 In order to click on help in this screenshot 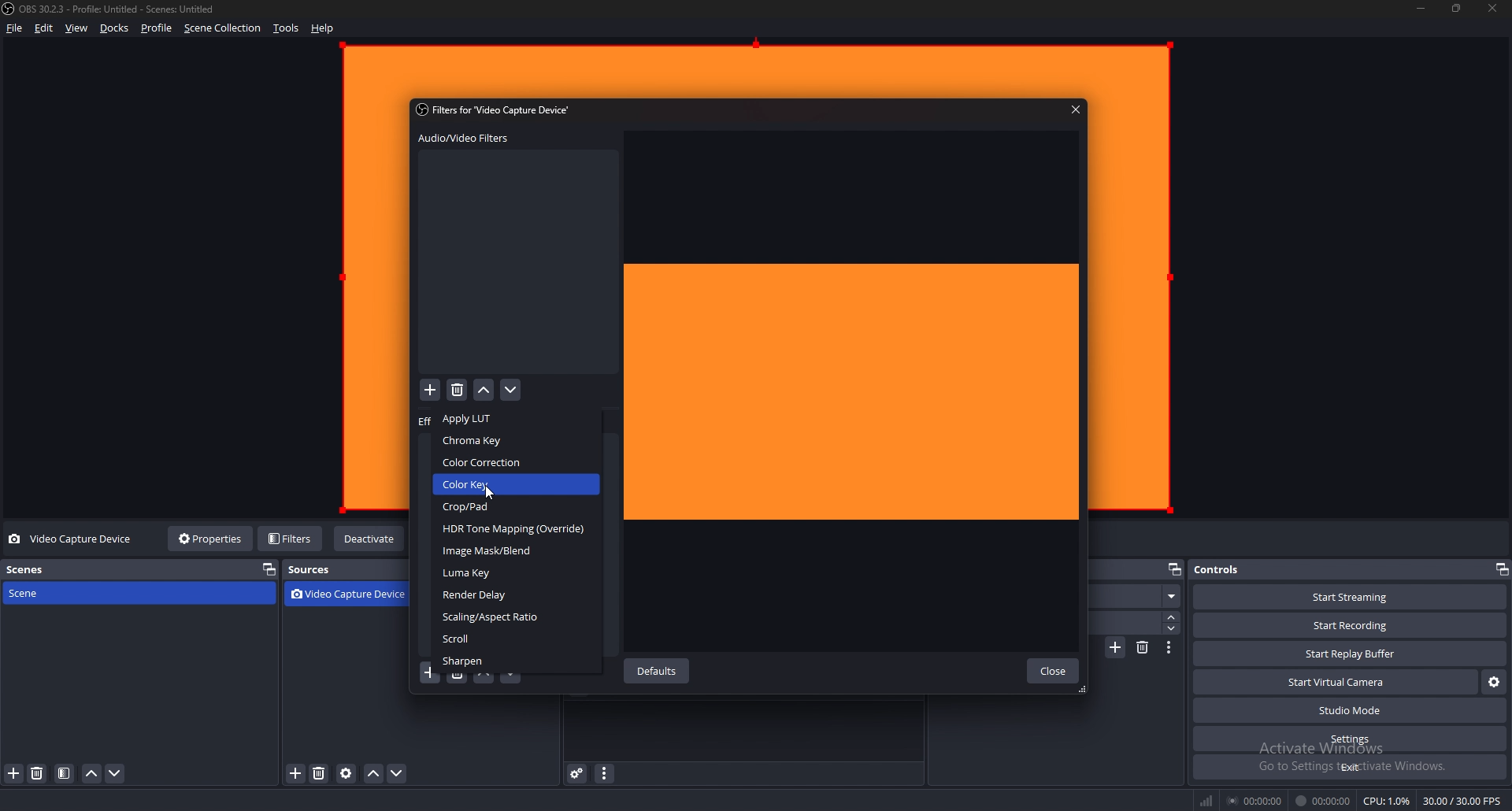, I will do `click(323, 28)`.